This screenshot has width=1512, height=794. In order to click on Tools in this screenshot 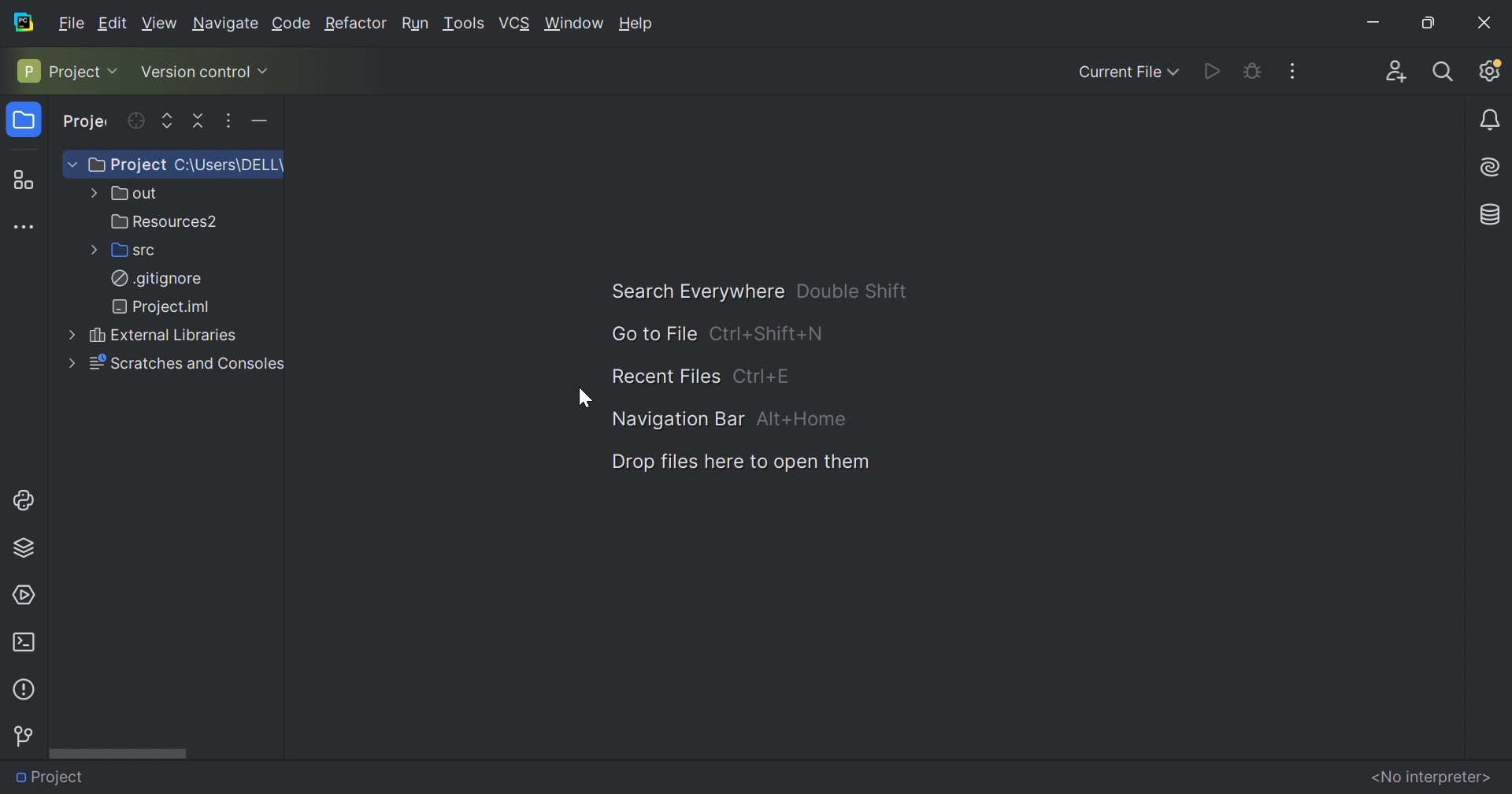, I will do `click(464, 24)`.